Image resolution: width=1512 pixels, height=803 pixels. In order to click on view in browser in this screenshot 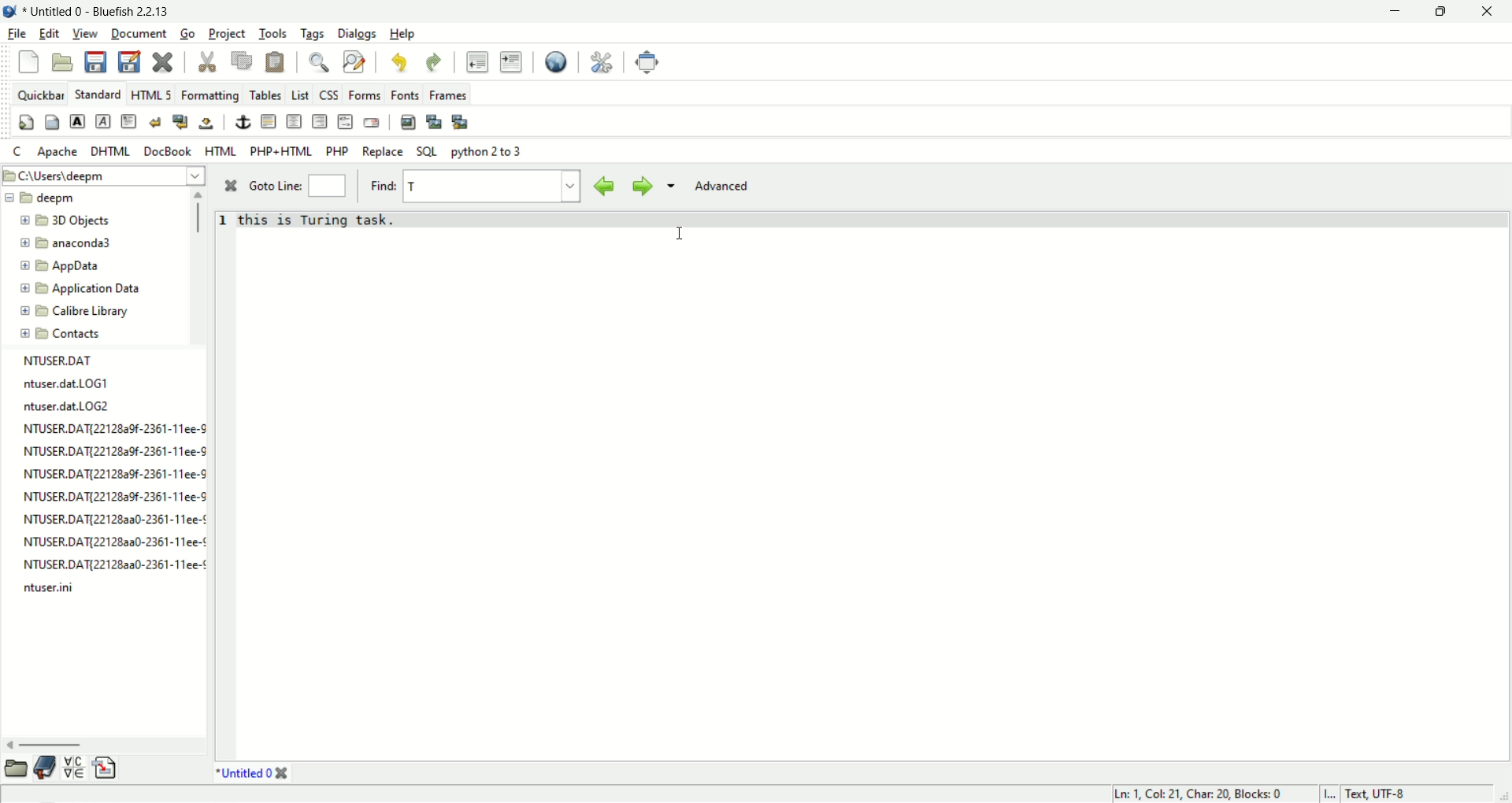, I will do `click(556, 63)`.